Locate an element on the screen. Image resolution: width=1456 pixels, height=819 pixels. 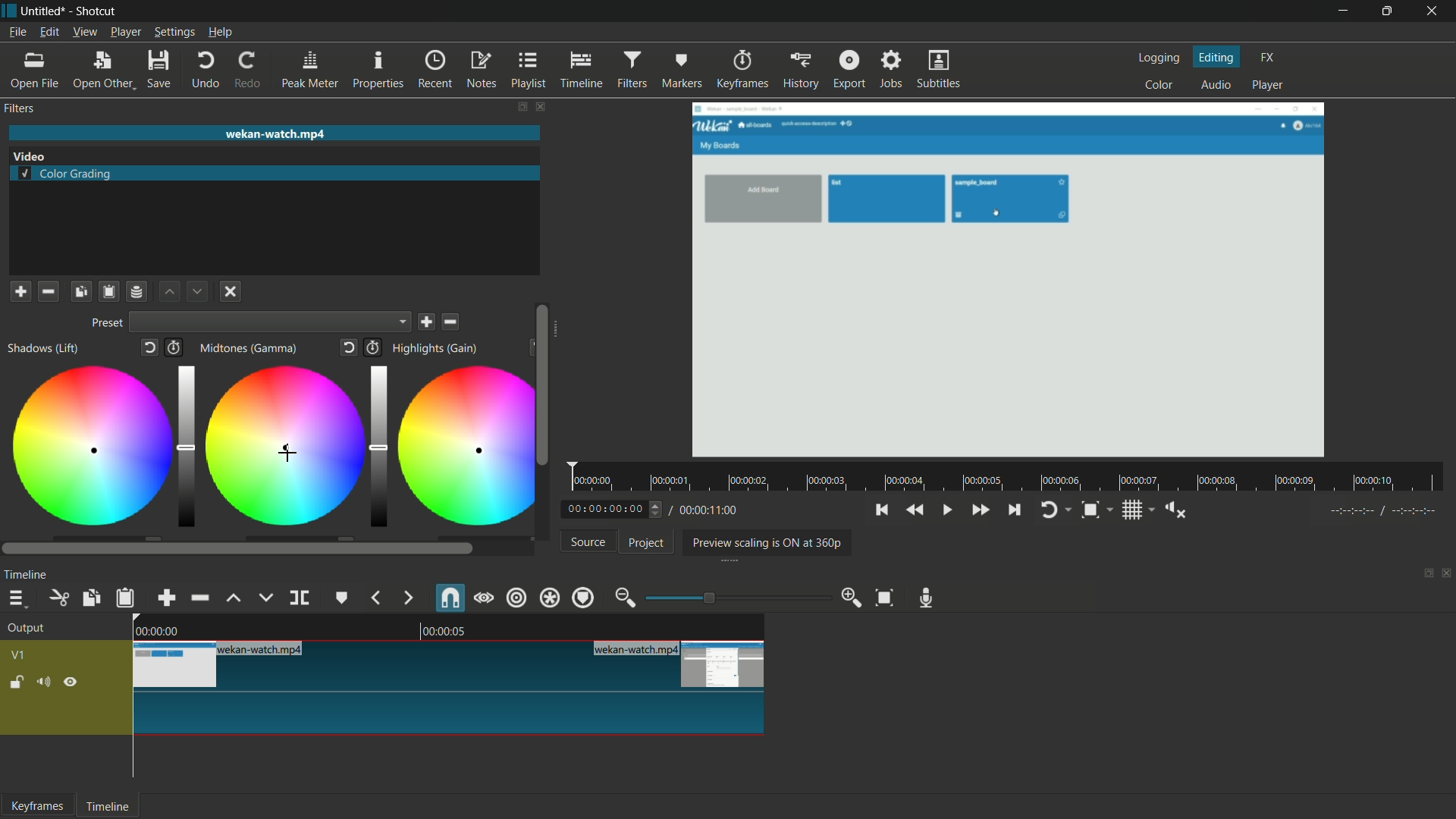
00.00.05 is located at coordinates (457, 632).